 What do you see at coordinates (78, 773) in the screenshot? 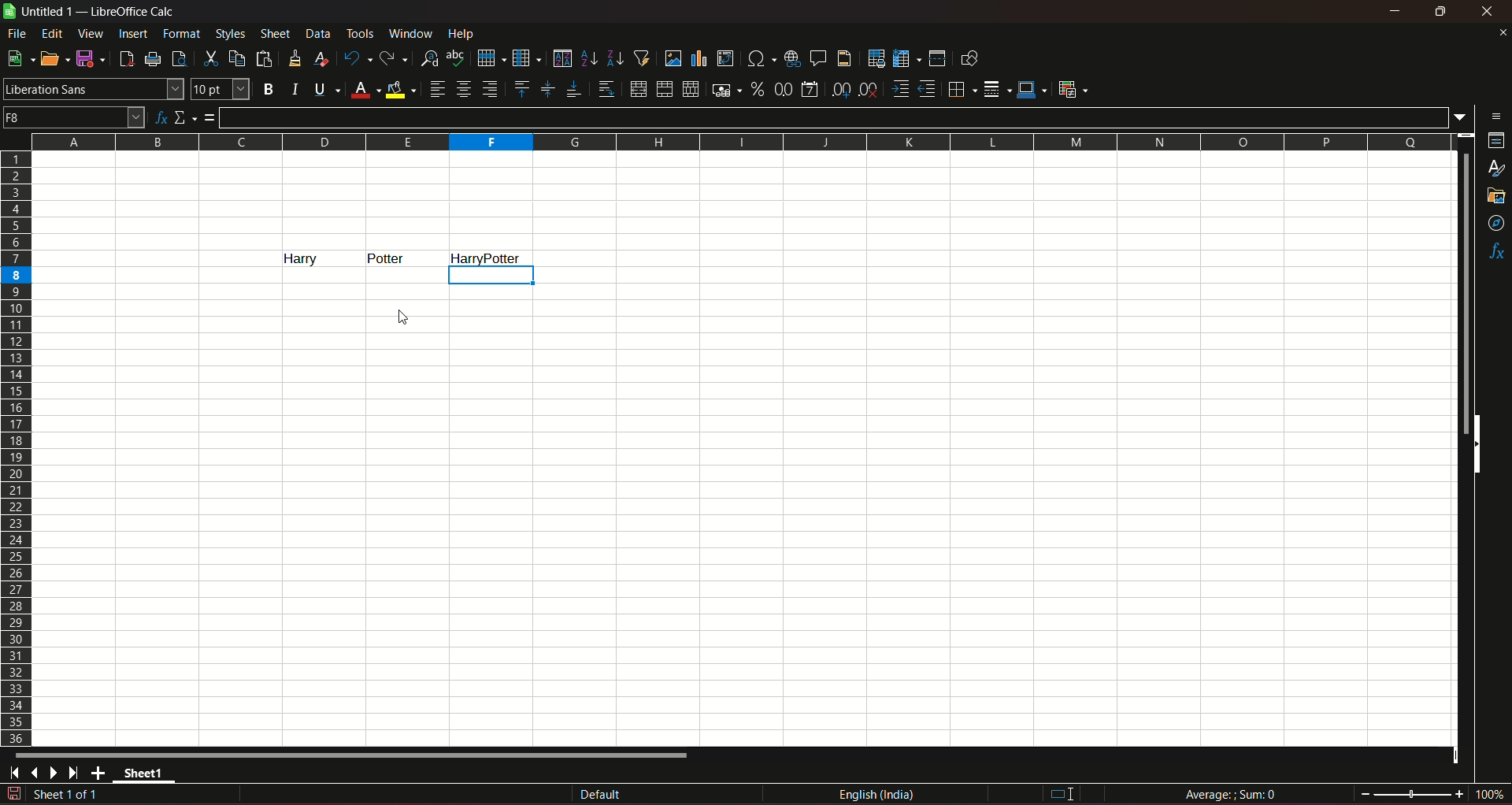
I see `scroll to last` at bounding box center [78, 773].